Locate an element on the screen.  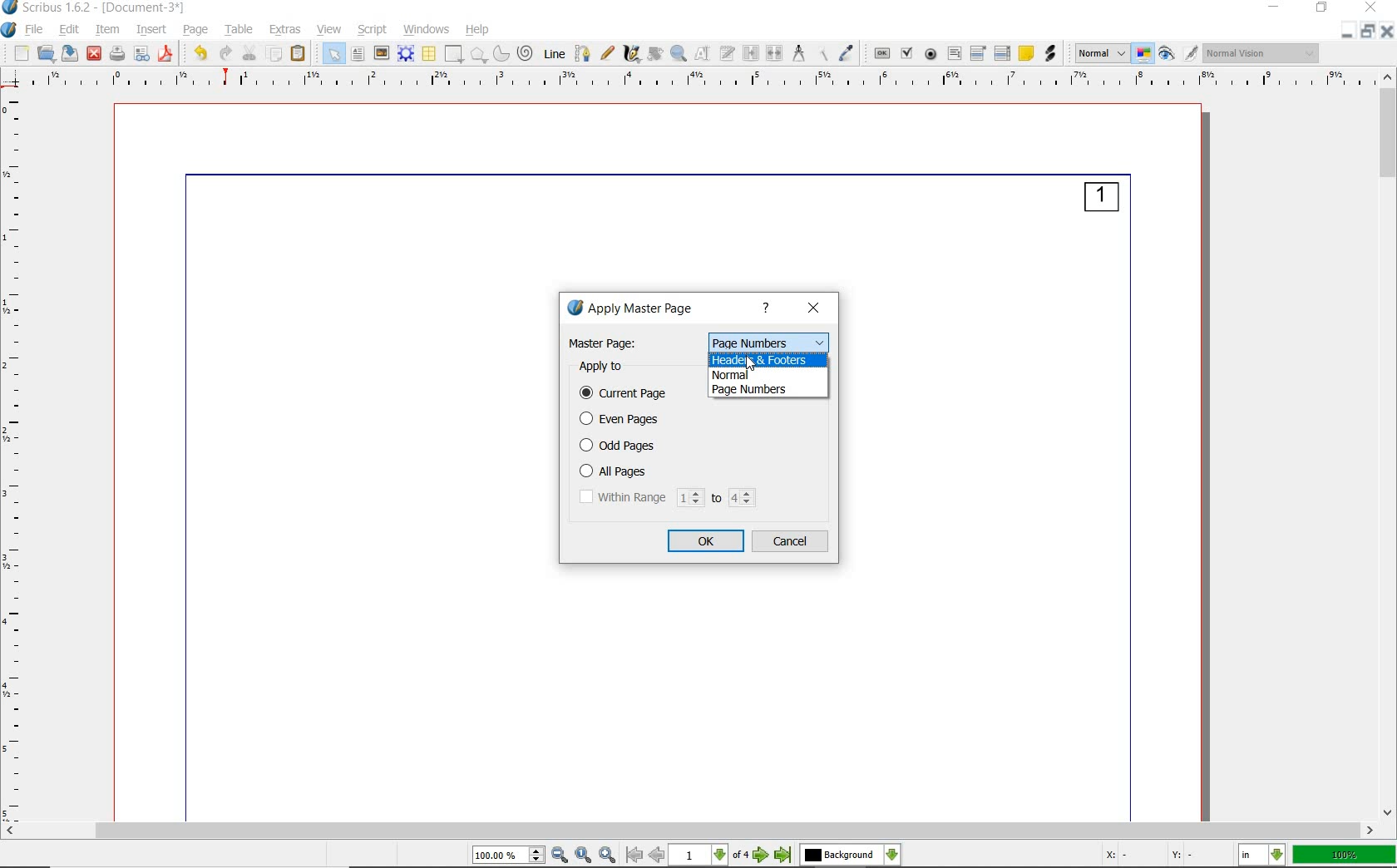
text annotation is located at coordinates (1027, 53).